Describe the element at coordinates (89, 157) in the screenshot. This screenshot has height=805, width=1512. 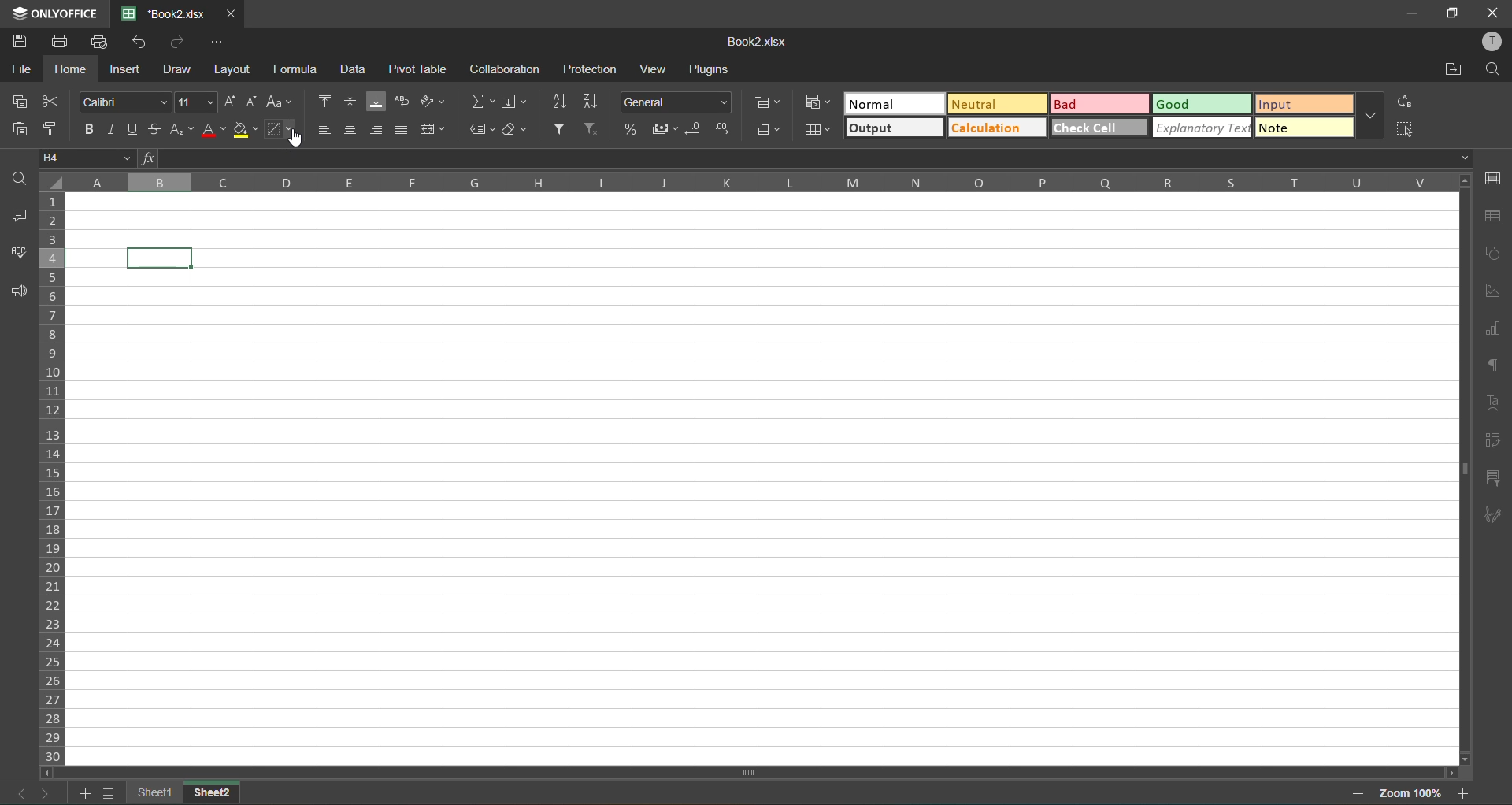
I see `cell address` at that location.